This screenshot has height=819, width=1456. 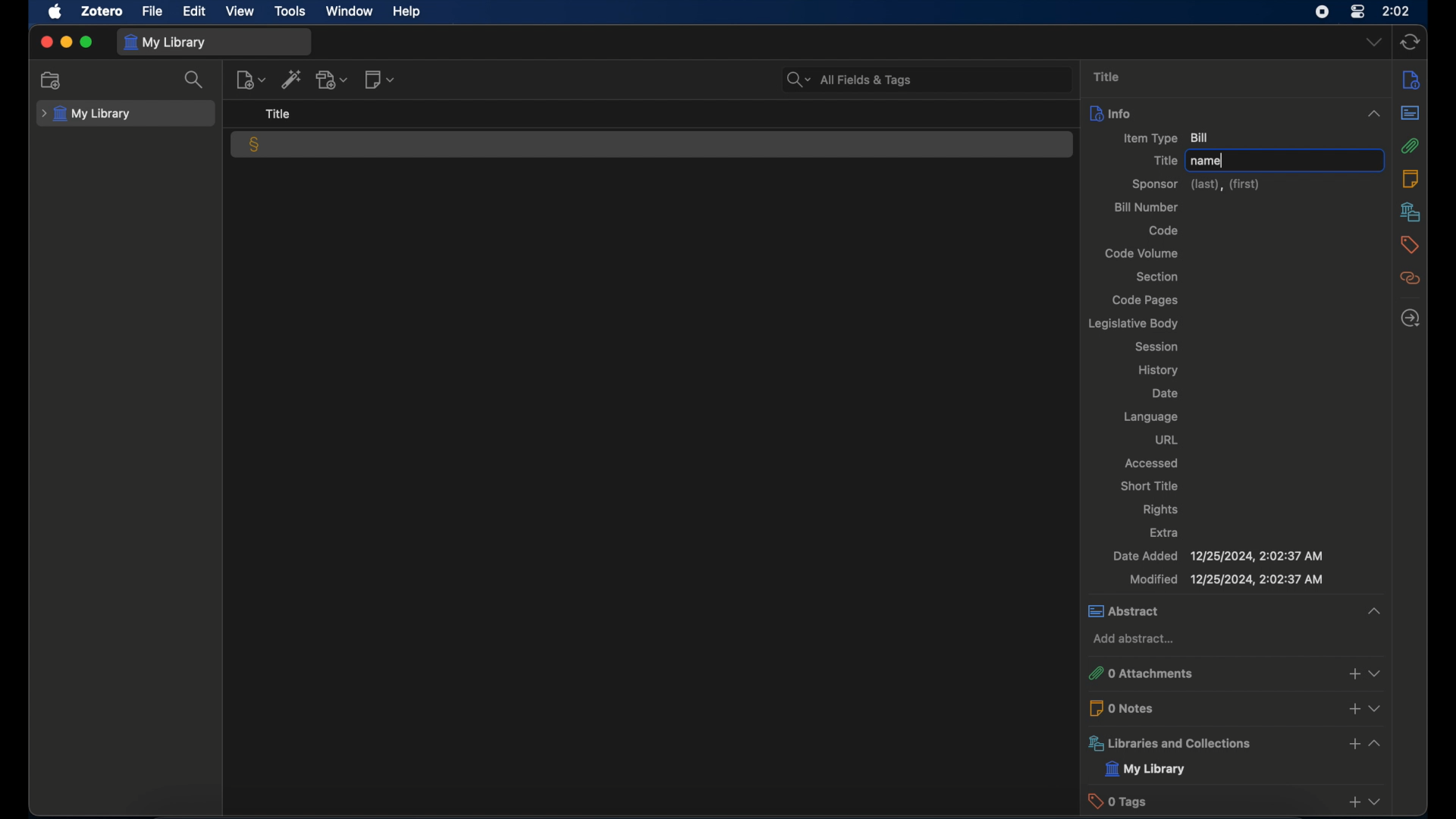 I want to click on info, so click(x=1237, y=114).